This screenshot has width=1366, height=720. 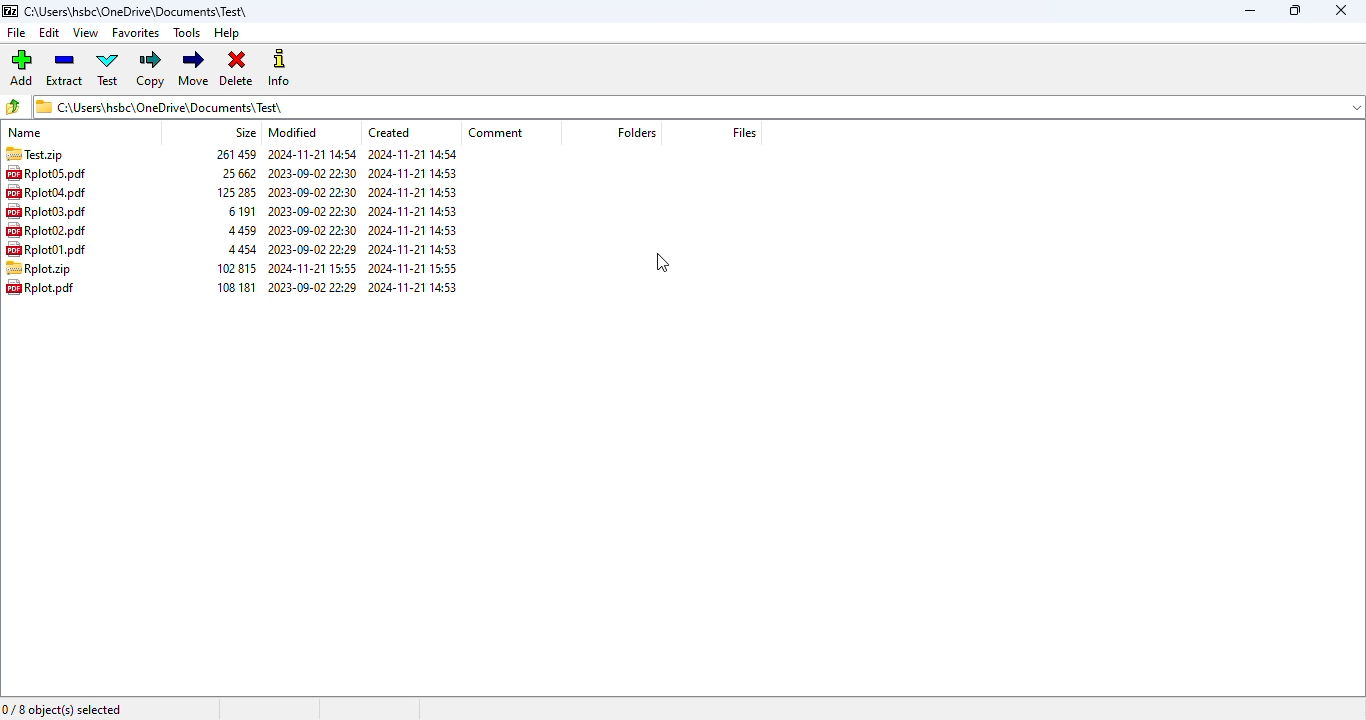 I want to click on browse files, so click(x=12, y=107).